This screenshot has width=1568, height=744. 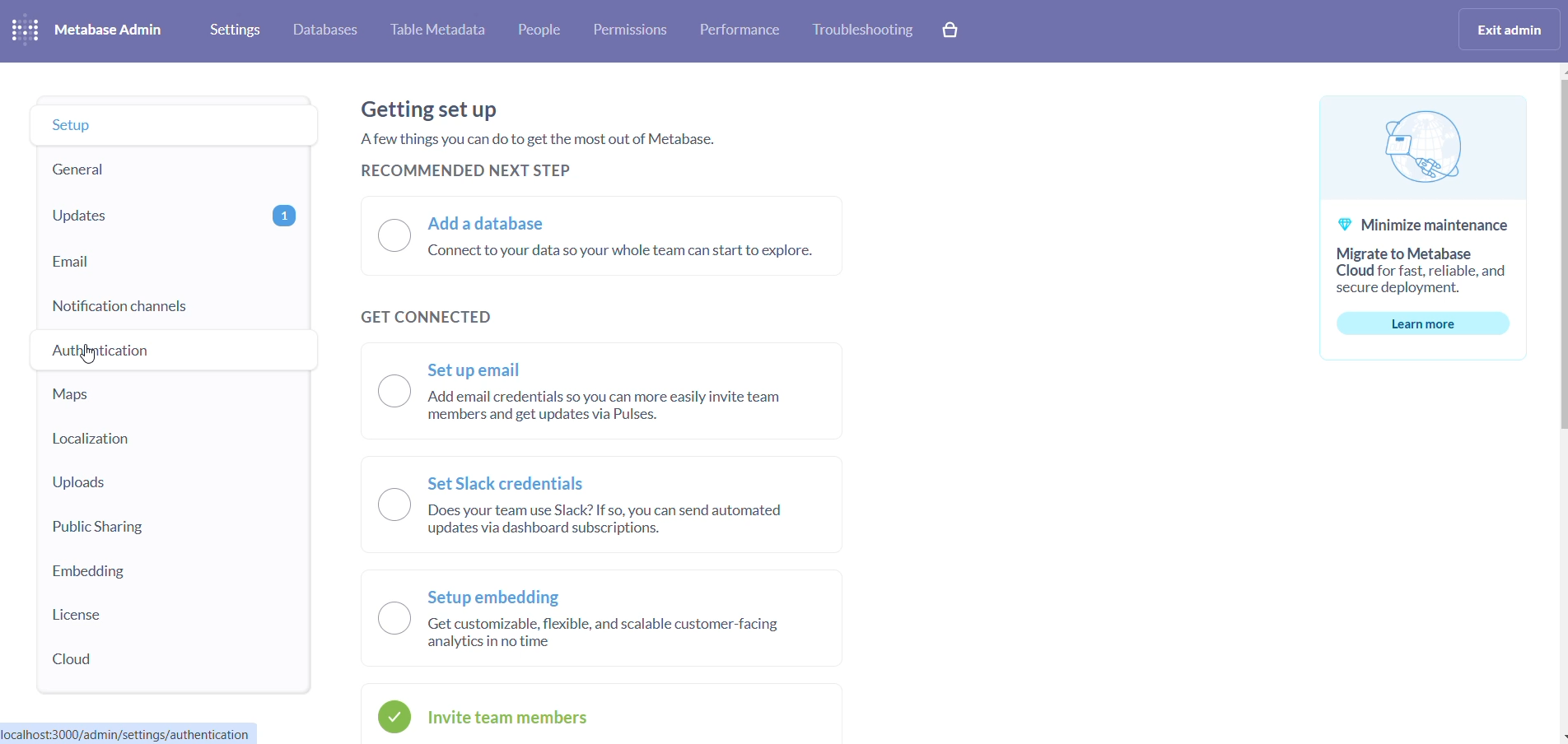 What do you see at coordinates (596, 240) in the screenshot?
I see `a) Add a database
“Connect to your data so your whole team can start to explore.` at bounding box center [596, 240].